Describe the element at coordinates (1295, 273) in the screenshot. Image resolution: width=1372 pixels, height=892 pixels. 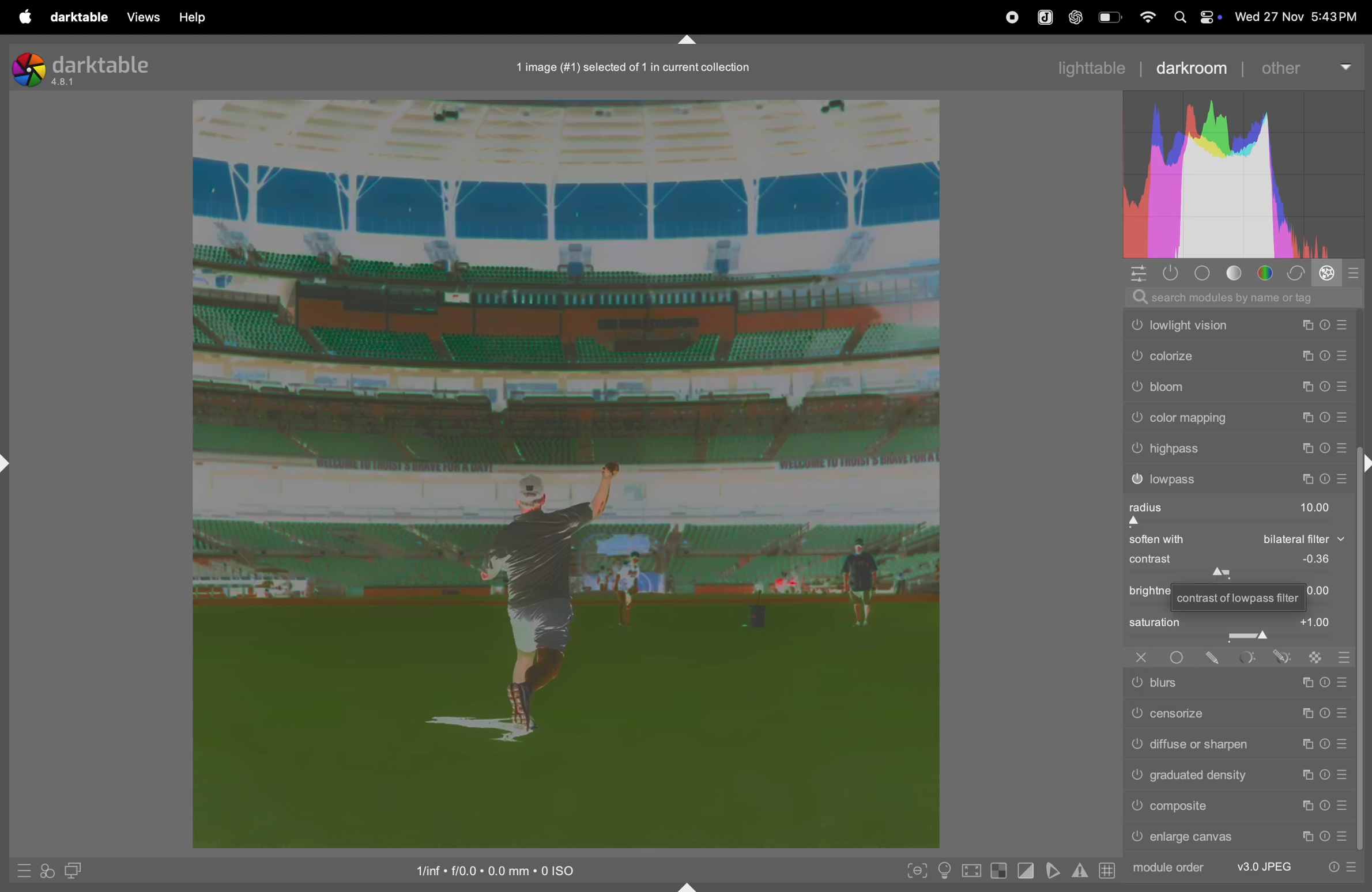
I see `correct` at that location.